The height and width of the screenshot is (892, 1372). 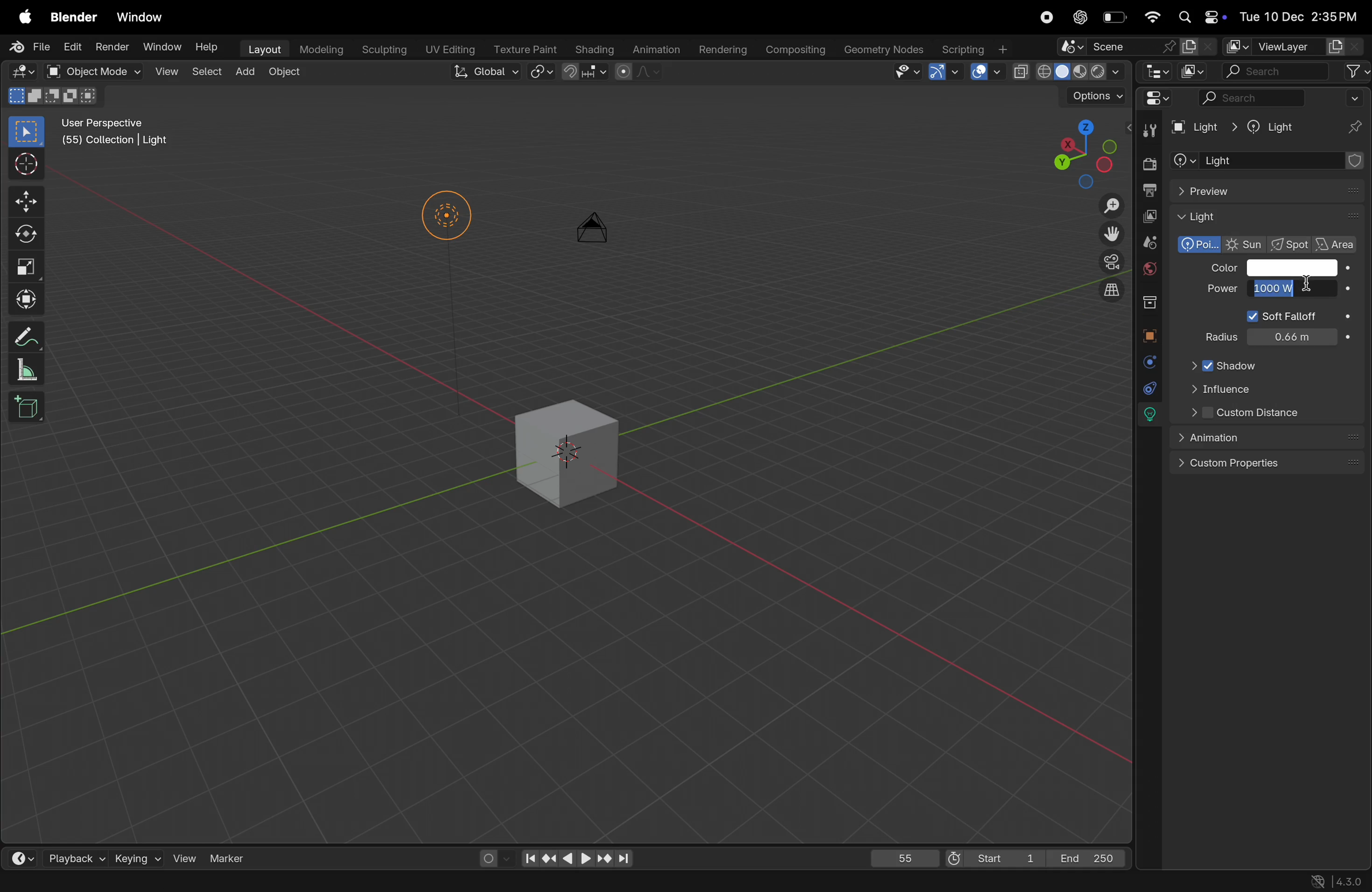 I want to click on versions, so click(x=1335, y=880).